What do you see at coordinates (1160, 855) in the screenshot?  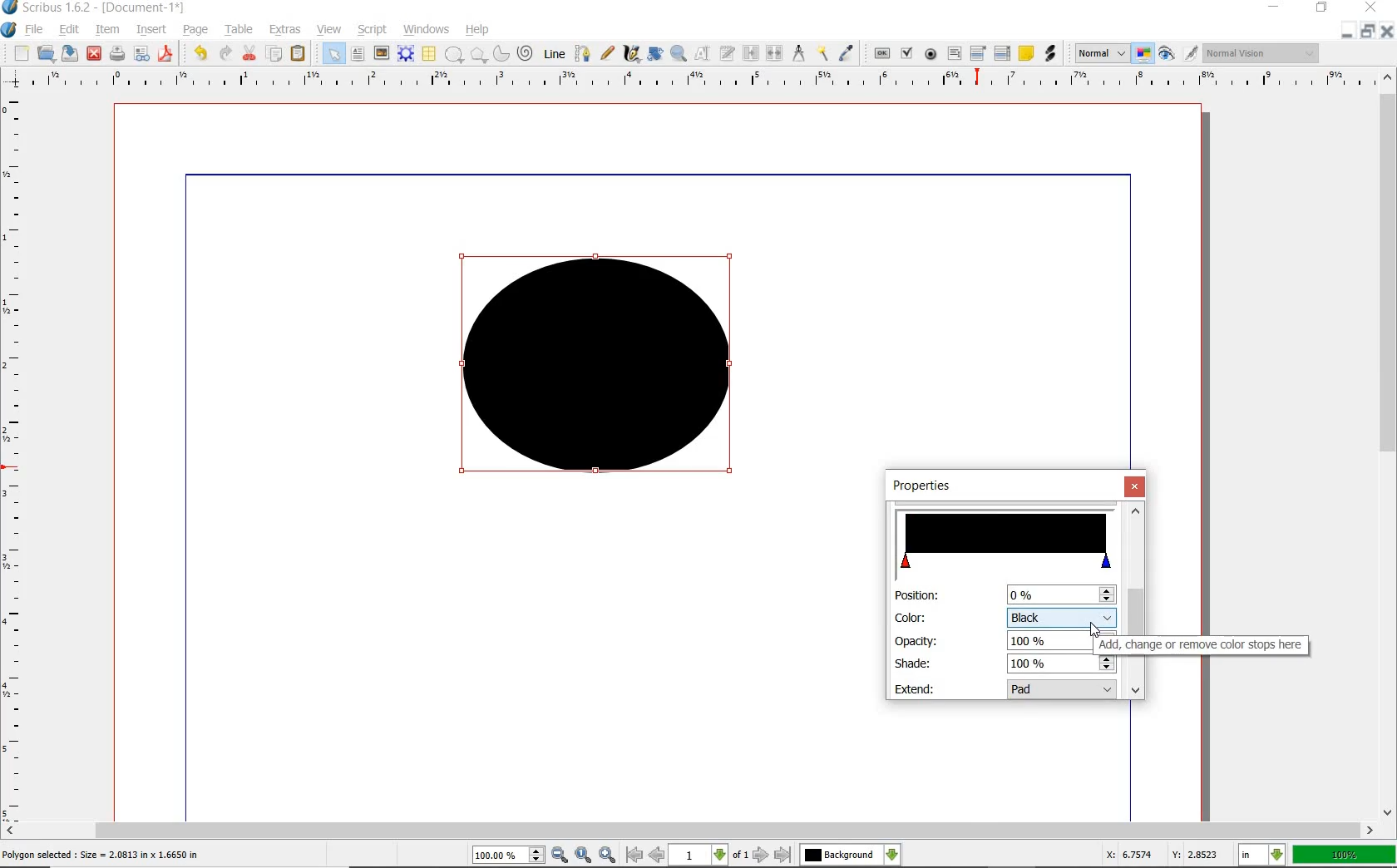 I see `coordinates` at bounding box center [1160, 855].